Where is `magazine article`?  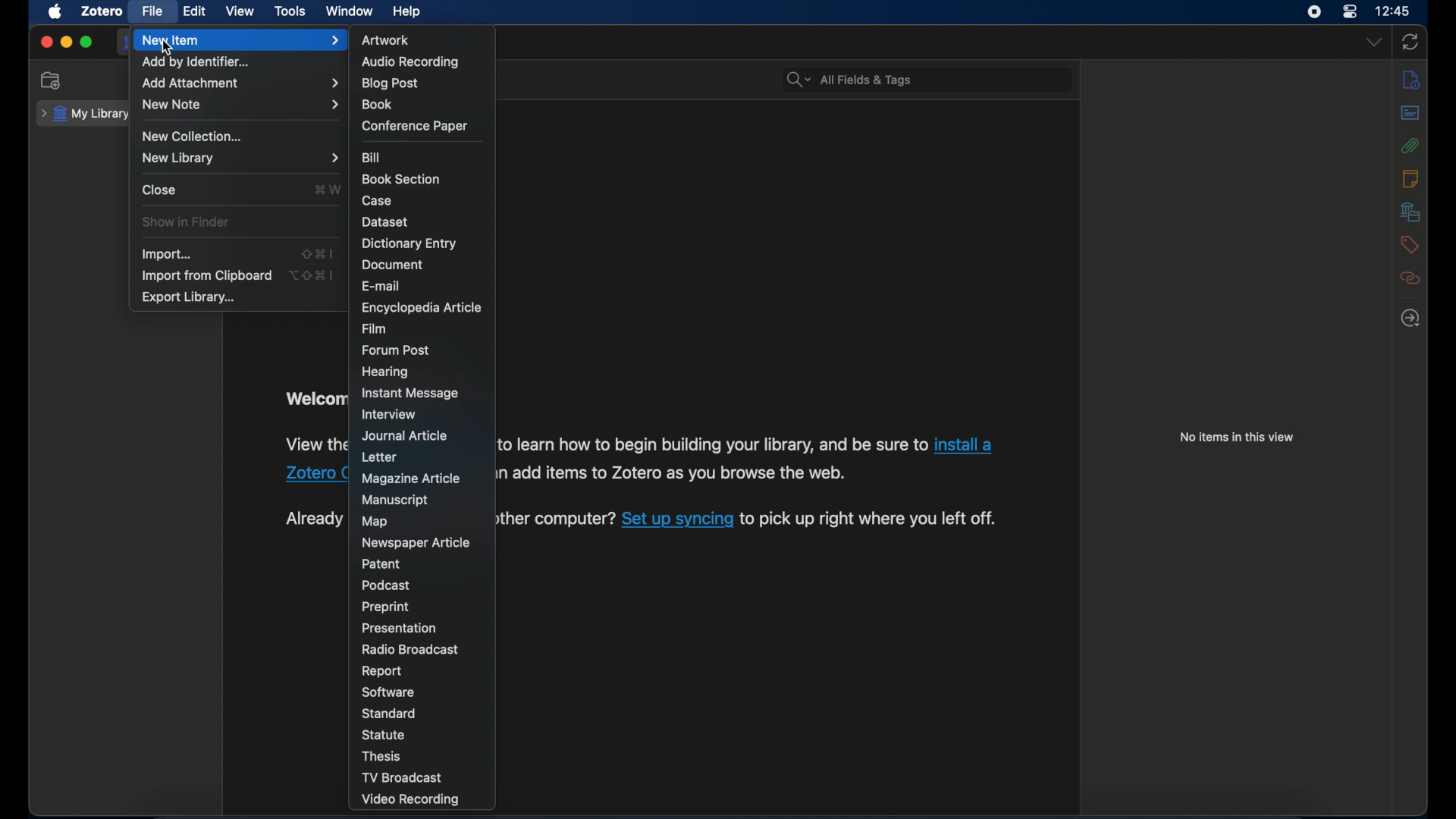
magazine article is located at coordinates (411, 478).